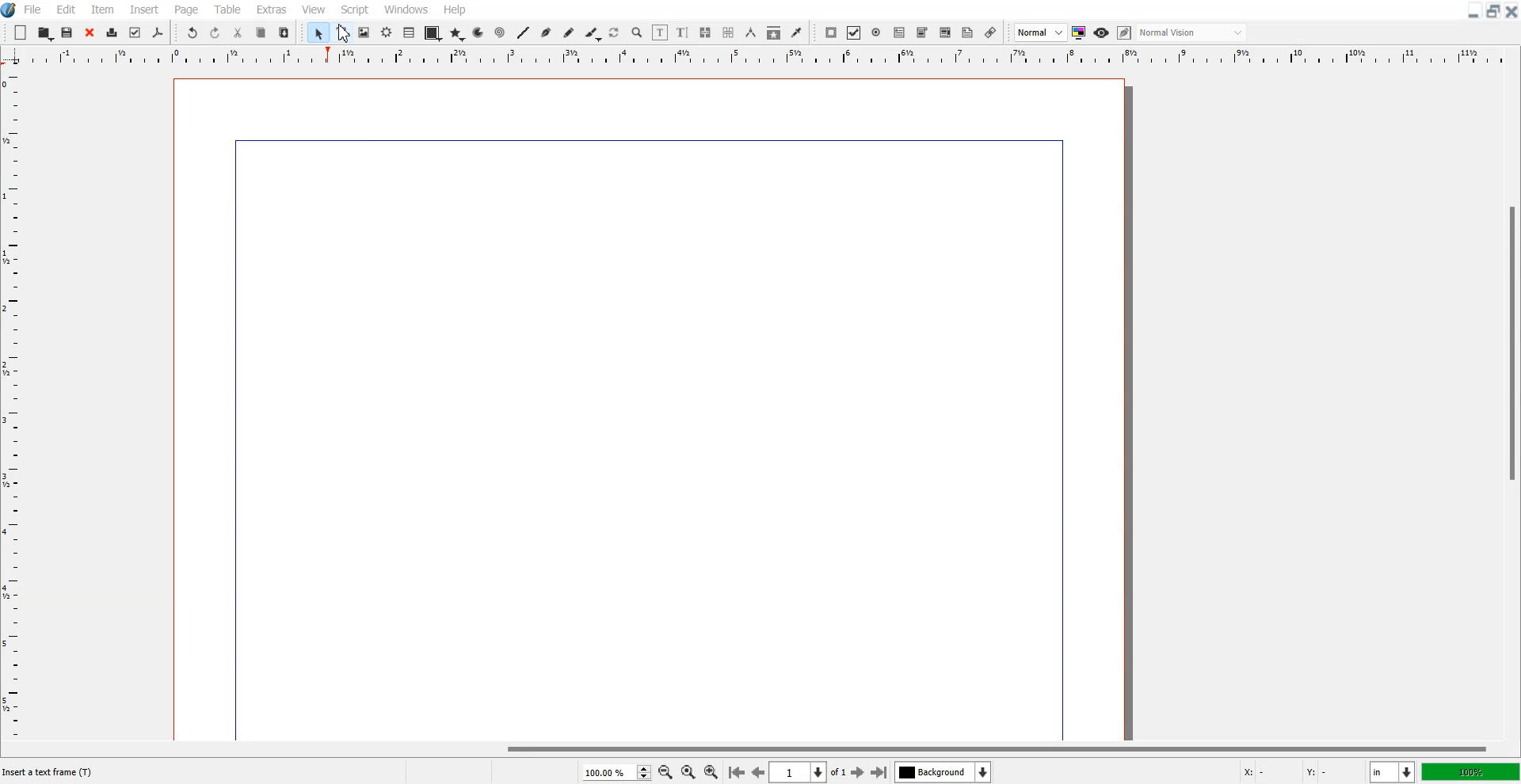 The image size is (1521, 784). Describe the element at coordinates (1472, 771) in the screenshot. I see `100%` at that location.